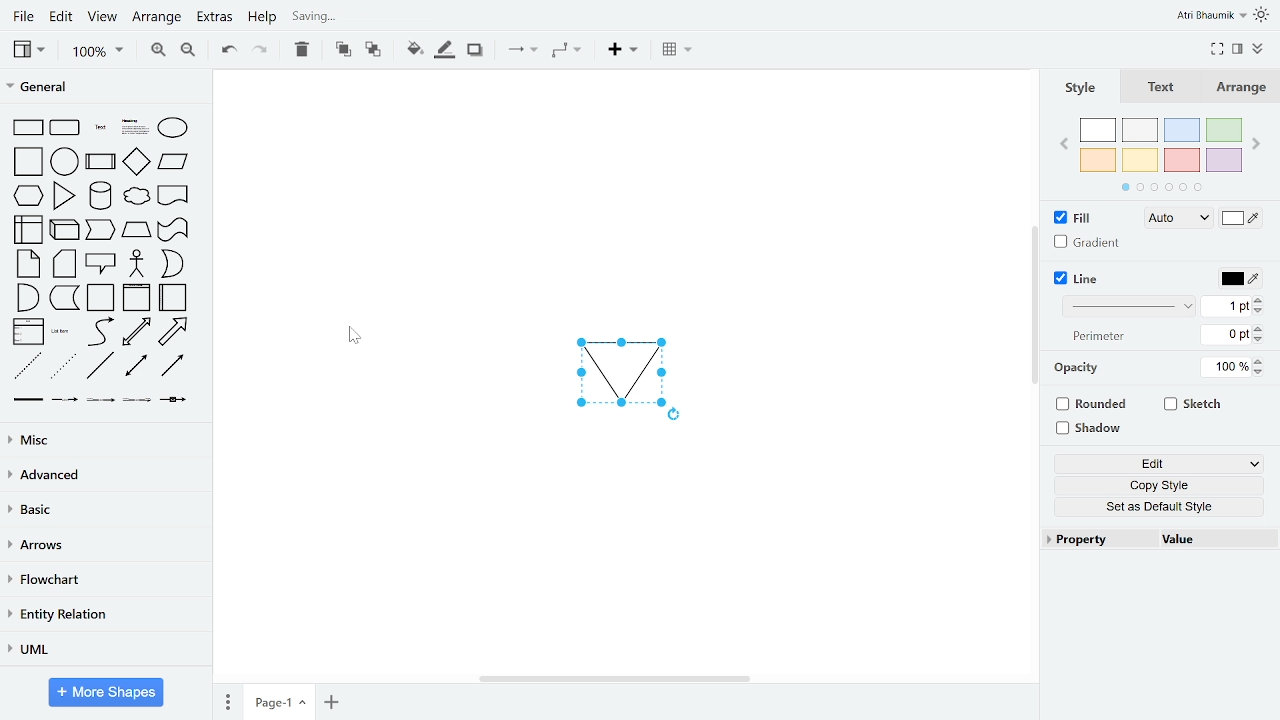 Image resolution: width=1280 pixels, height=720 pixels. What do you see at coordinates (1082, 278) in the screenshot?
I see `line` at bounding box center [1082, 278].